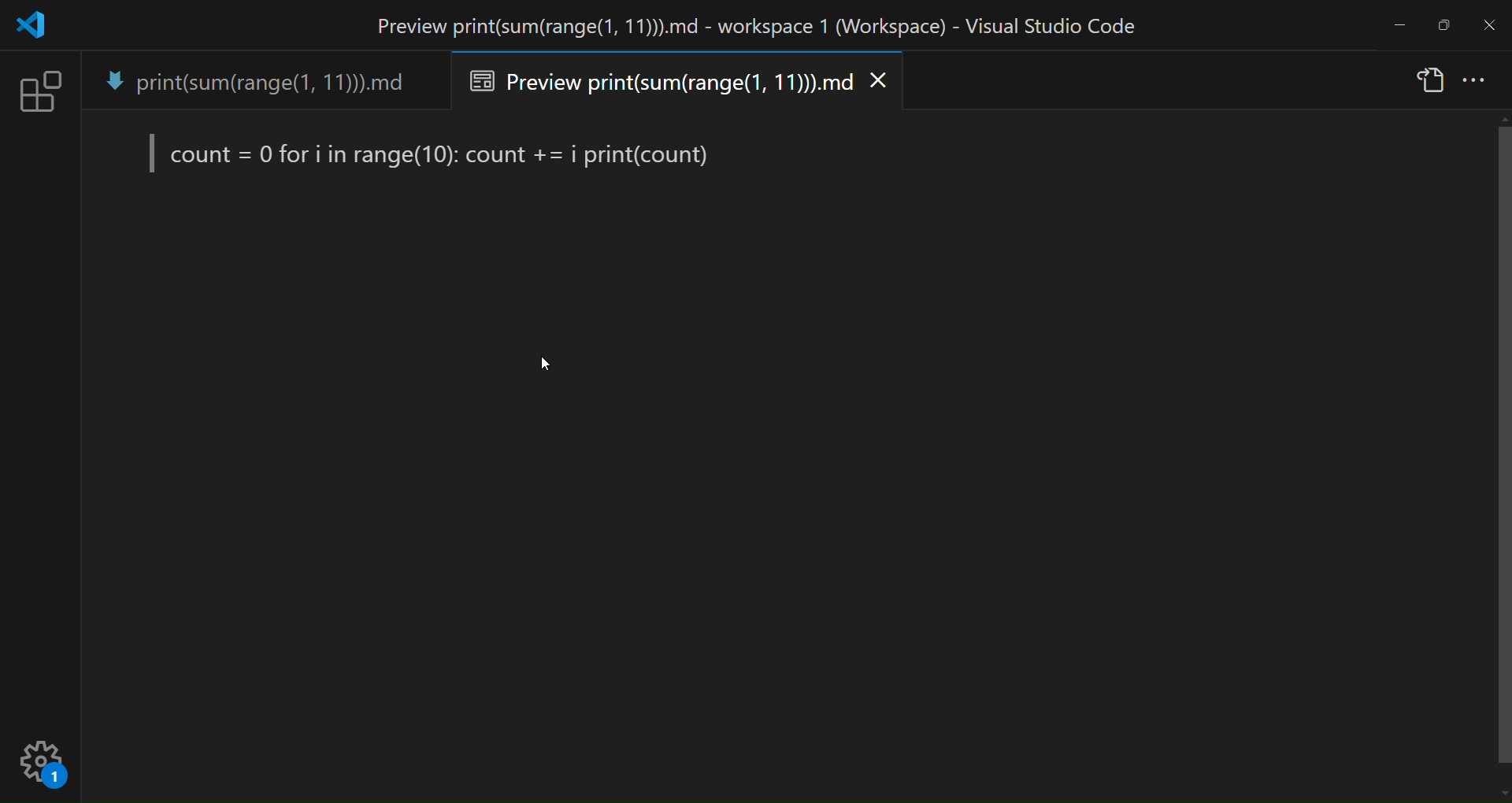  I want to click on tab name, so click(248, 79).